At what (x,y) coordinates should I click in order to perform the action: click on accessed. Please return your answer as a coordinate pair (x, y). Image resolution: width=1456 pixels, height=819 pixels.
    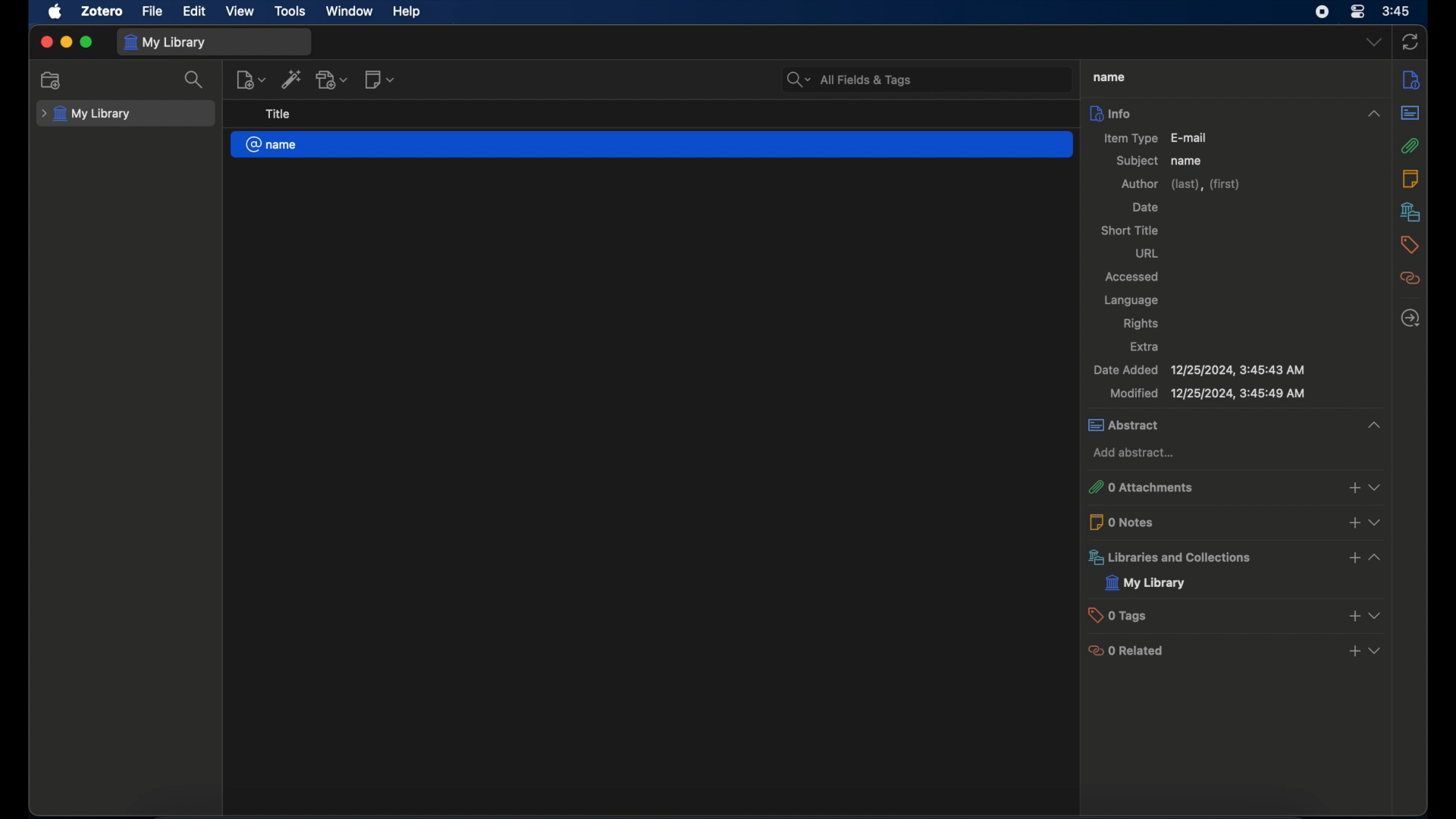
    Looking at the image, I should click on (1133, 278).